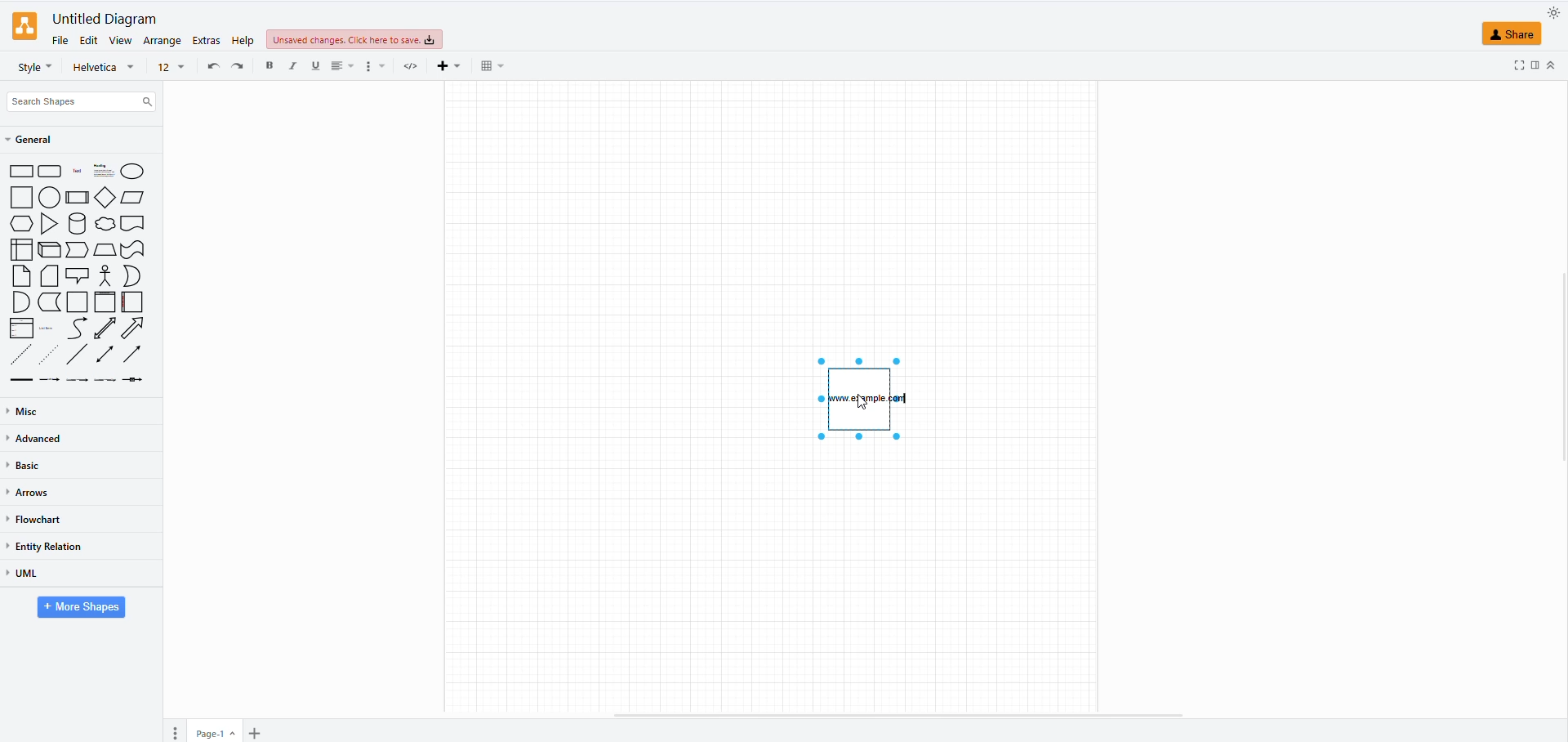 This screenshot has height=742, width=1568. I want to click on list item, so click(49, 328).